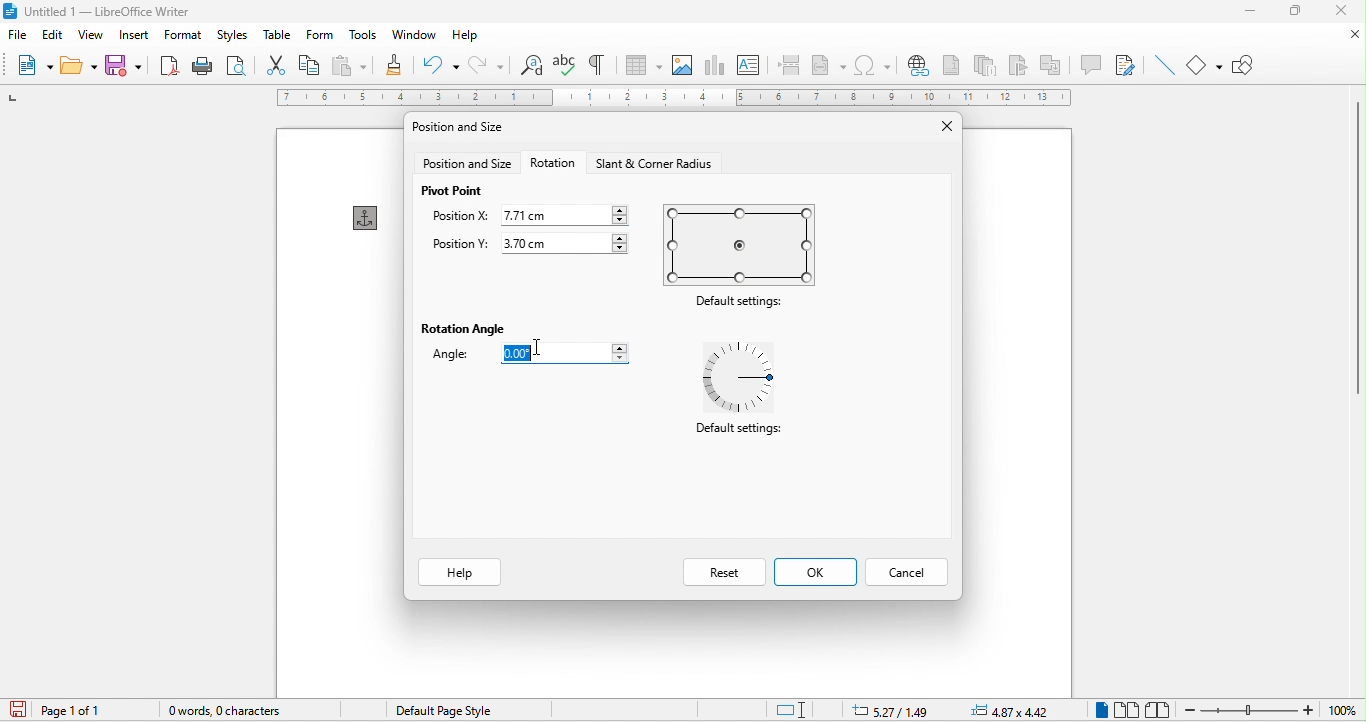  I want to click on help, so click(461, 573).